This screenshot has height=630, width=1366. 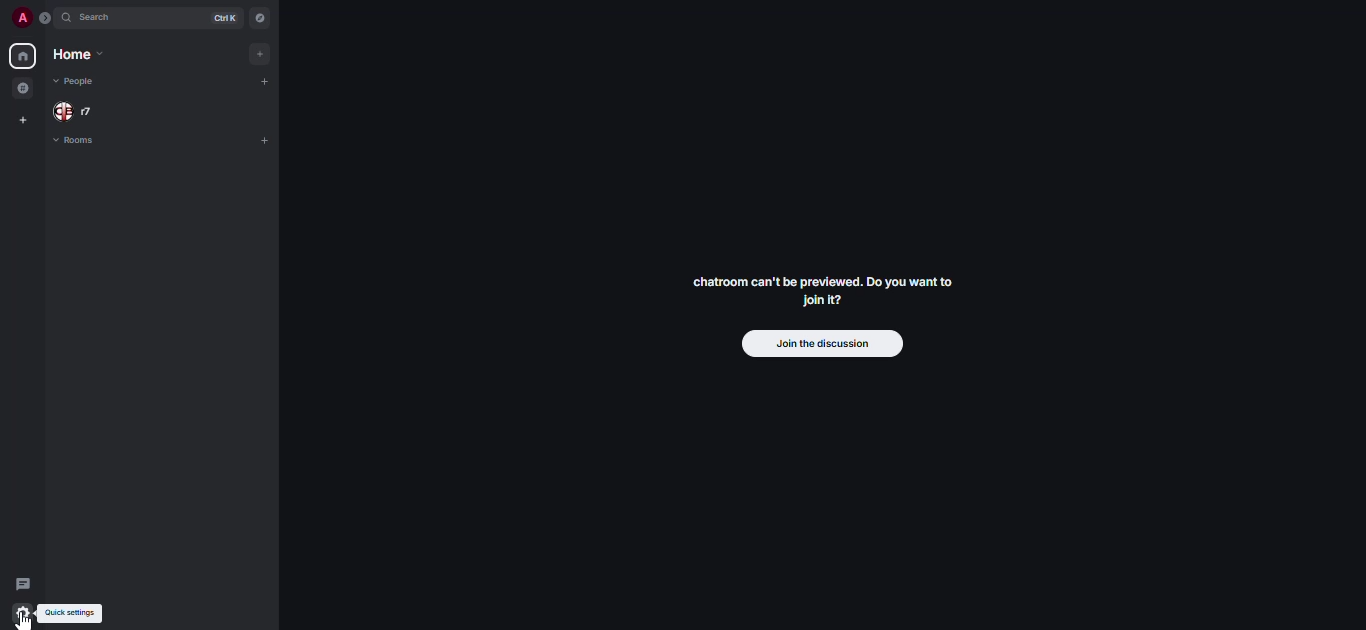 I want to click on home, so click(x=22, y=55).